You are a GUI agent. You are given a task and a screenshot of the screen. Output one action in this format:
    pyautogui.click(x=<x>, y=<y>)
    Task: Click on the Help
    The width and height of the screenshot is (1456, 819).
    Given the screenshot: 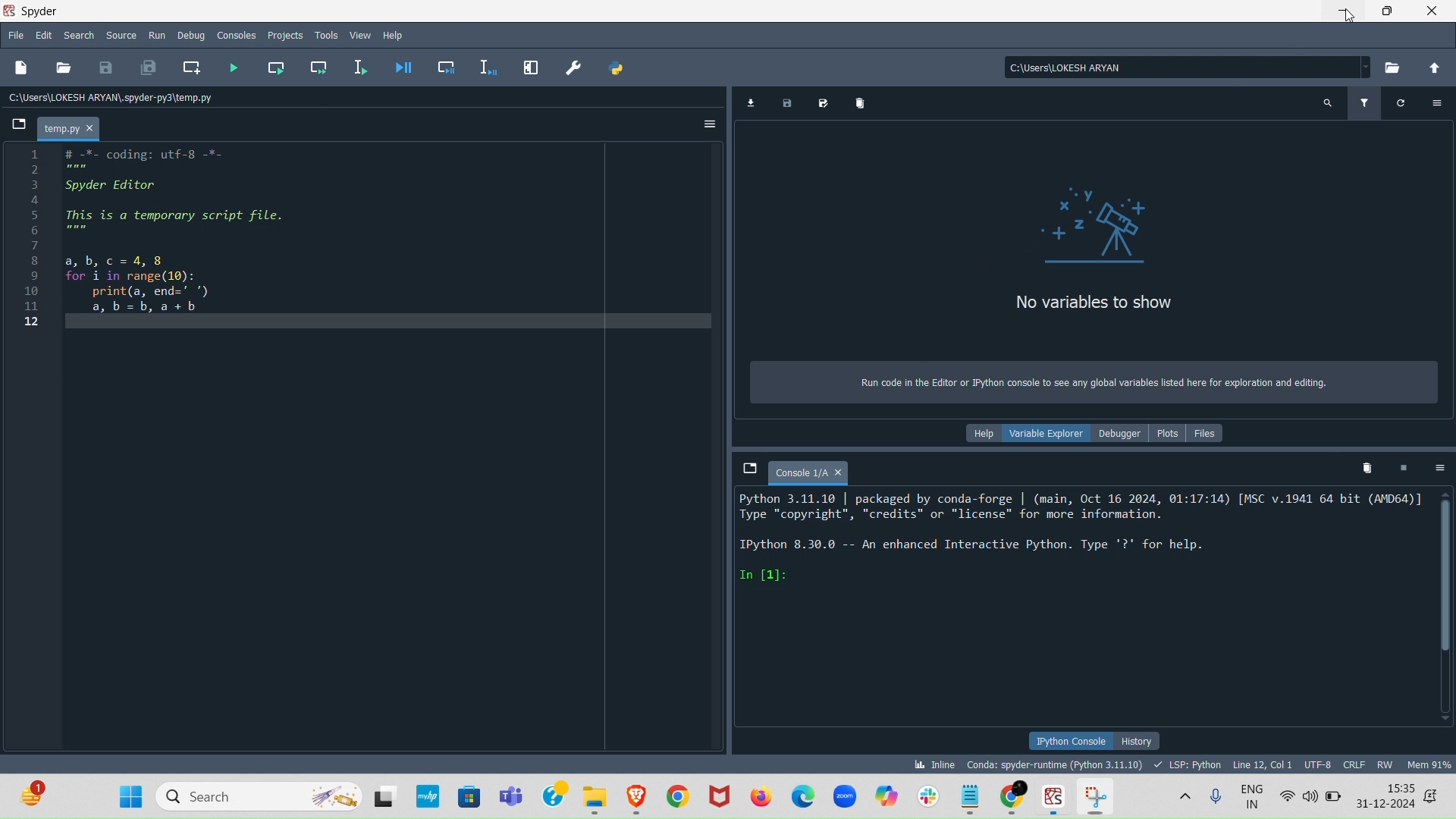 What is the action you would take?
    pyautogui.click(x=978, y=432)
    